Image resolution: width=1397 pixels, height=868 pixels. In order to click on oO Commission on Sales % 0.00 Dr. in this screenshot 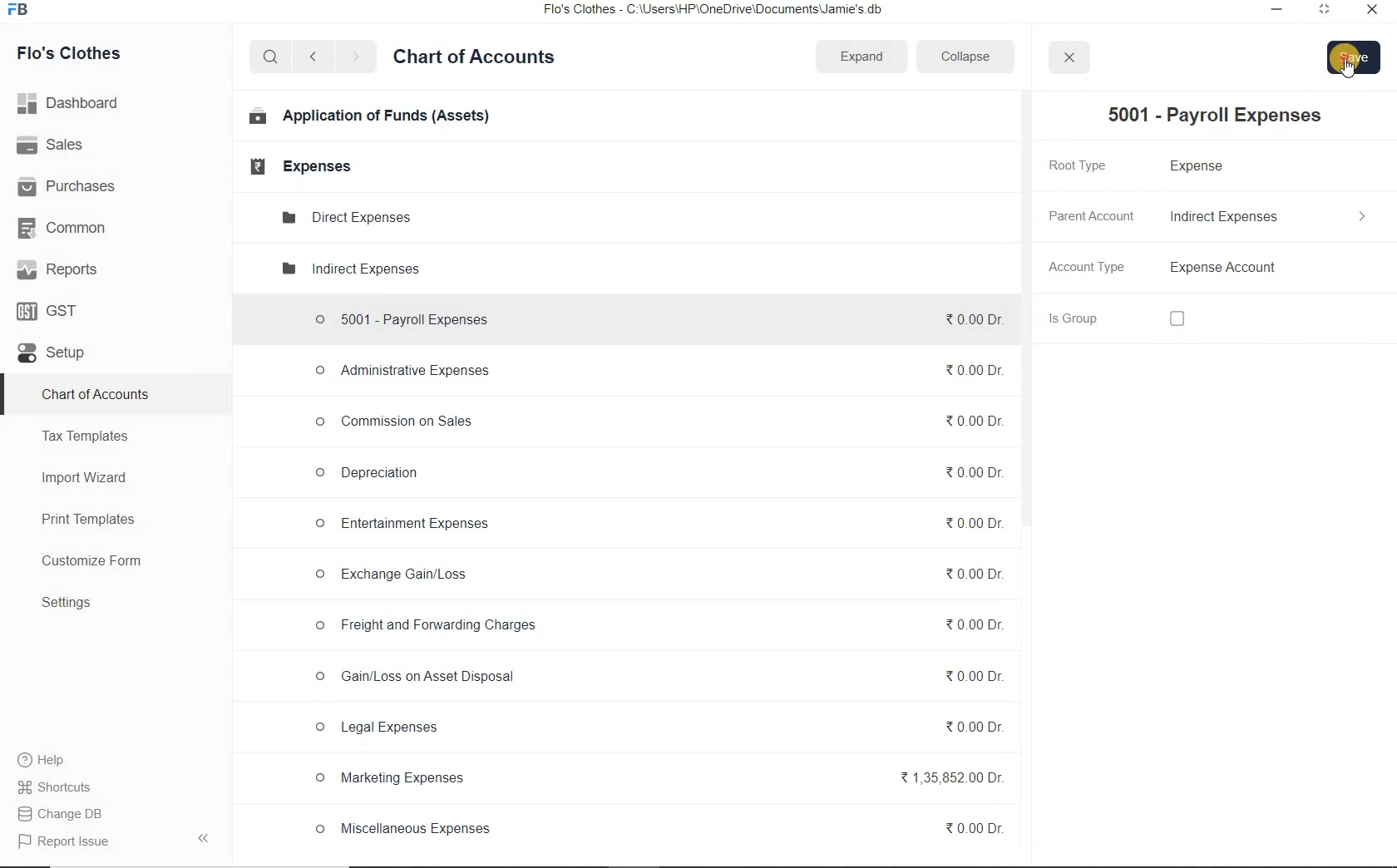, I will do `click(654, 419)`.